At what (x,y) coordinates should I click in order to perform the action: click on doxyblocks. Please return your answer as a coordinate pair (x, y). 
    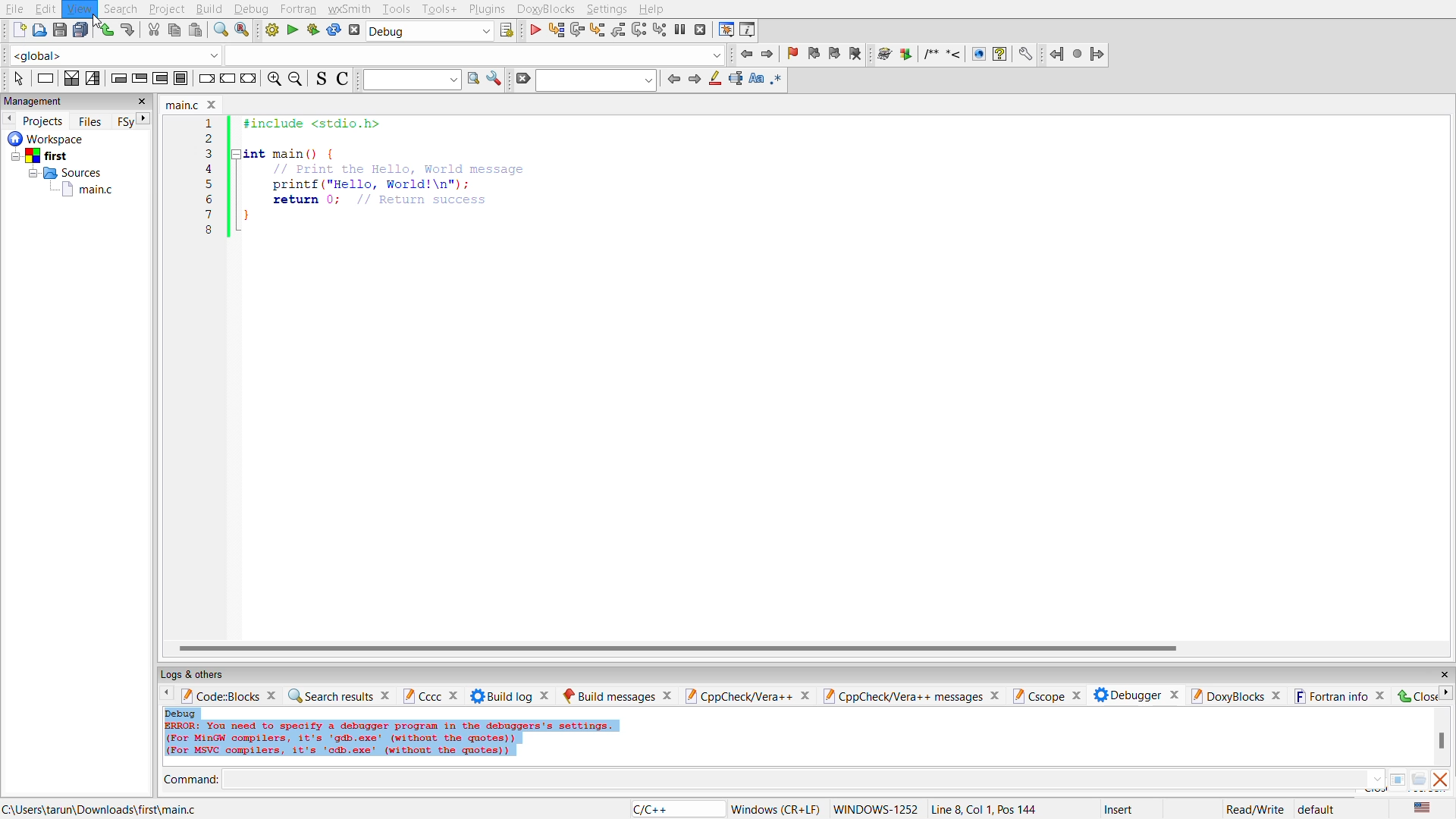
    Looking at the image, I should click on (952, 54).